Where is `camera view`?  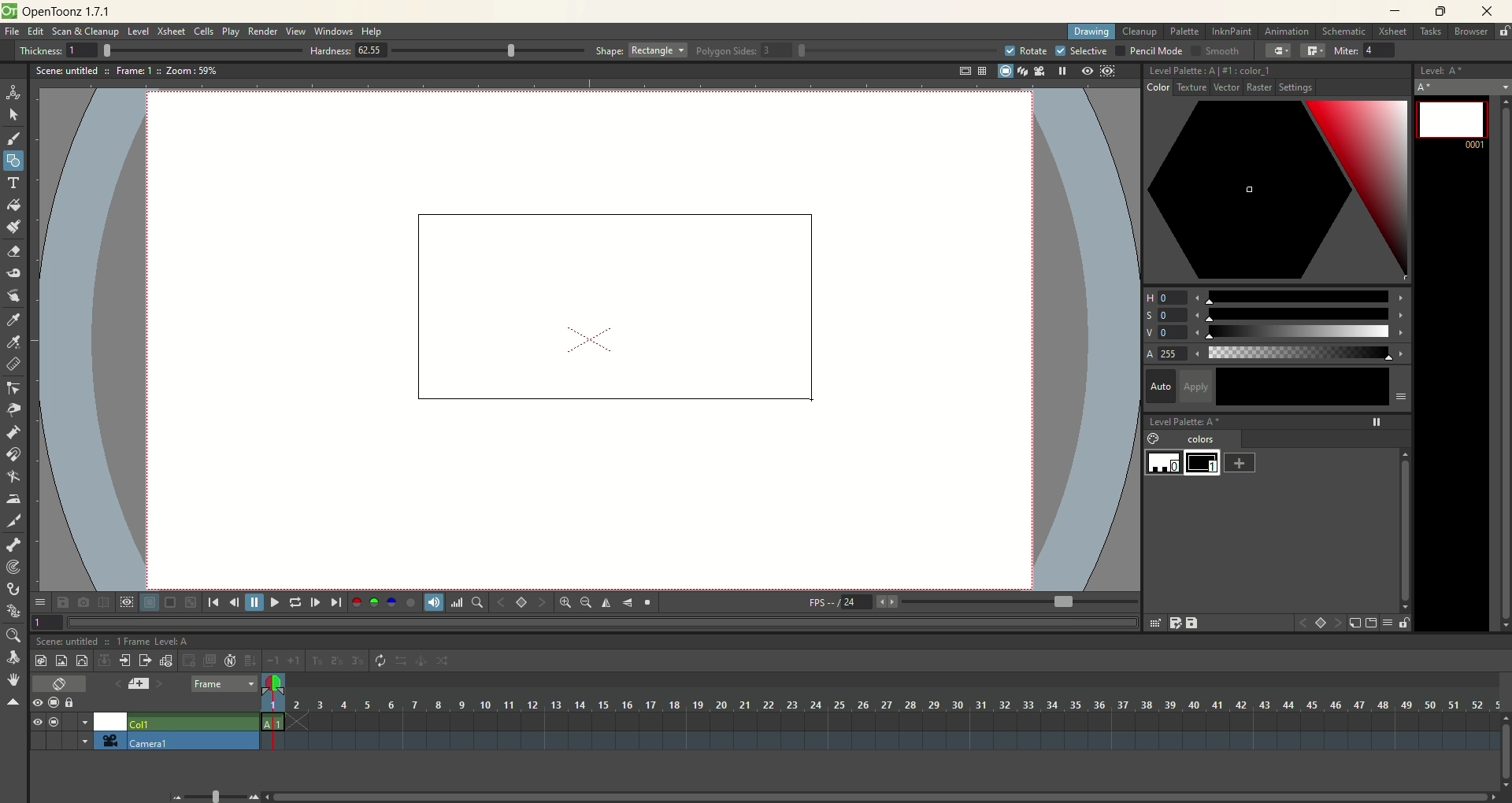
camera view is located at coordinates (1036, 71).